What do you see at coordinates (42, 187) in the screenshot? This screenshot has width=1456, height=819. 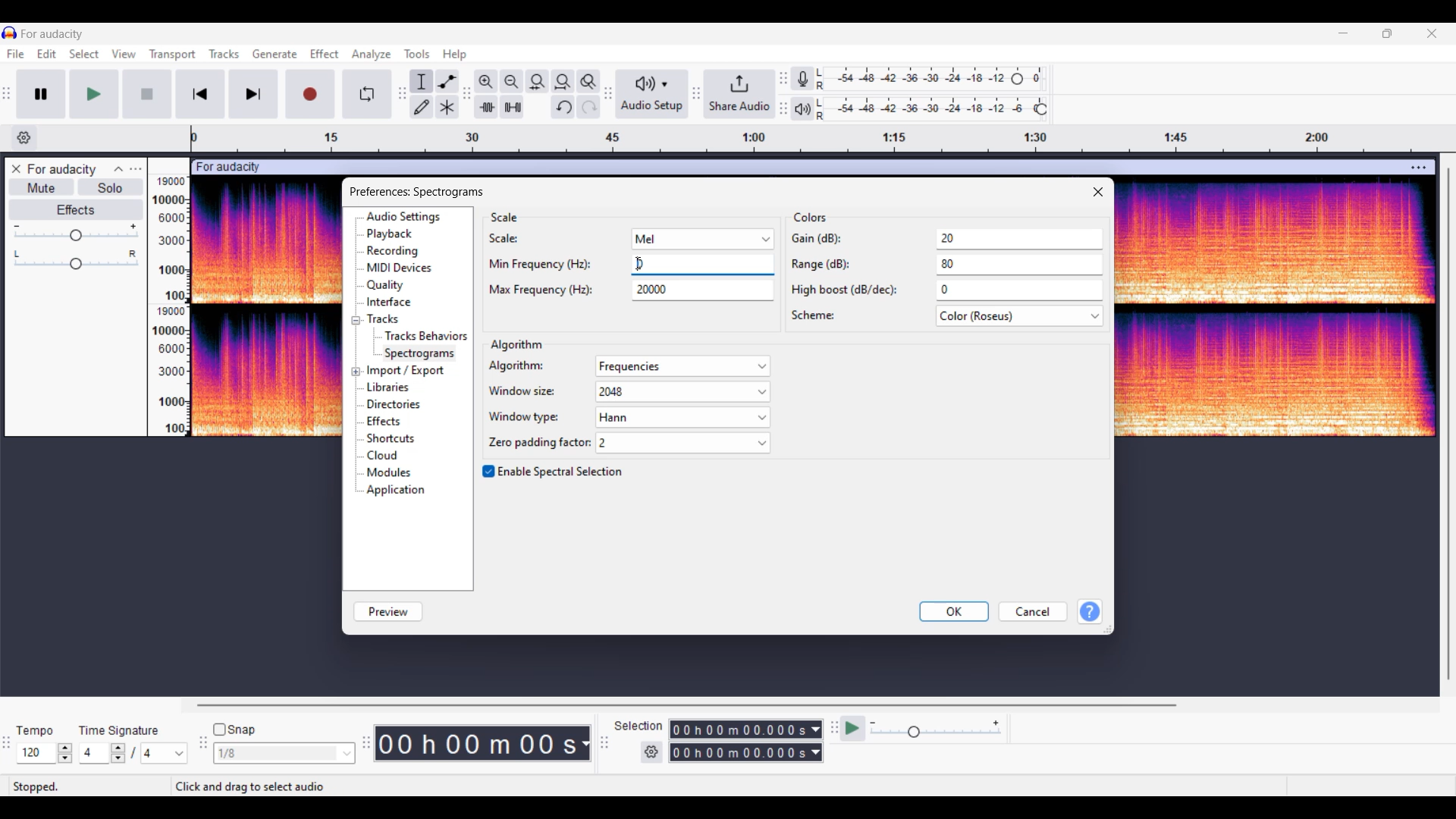 I see `Mute` at bounding box center [42, 187].